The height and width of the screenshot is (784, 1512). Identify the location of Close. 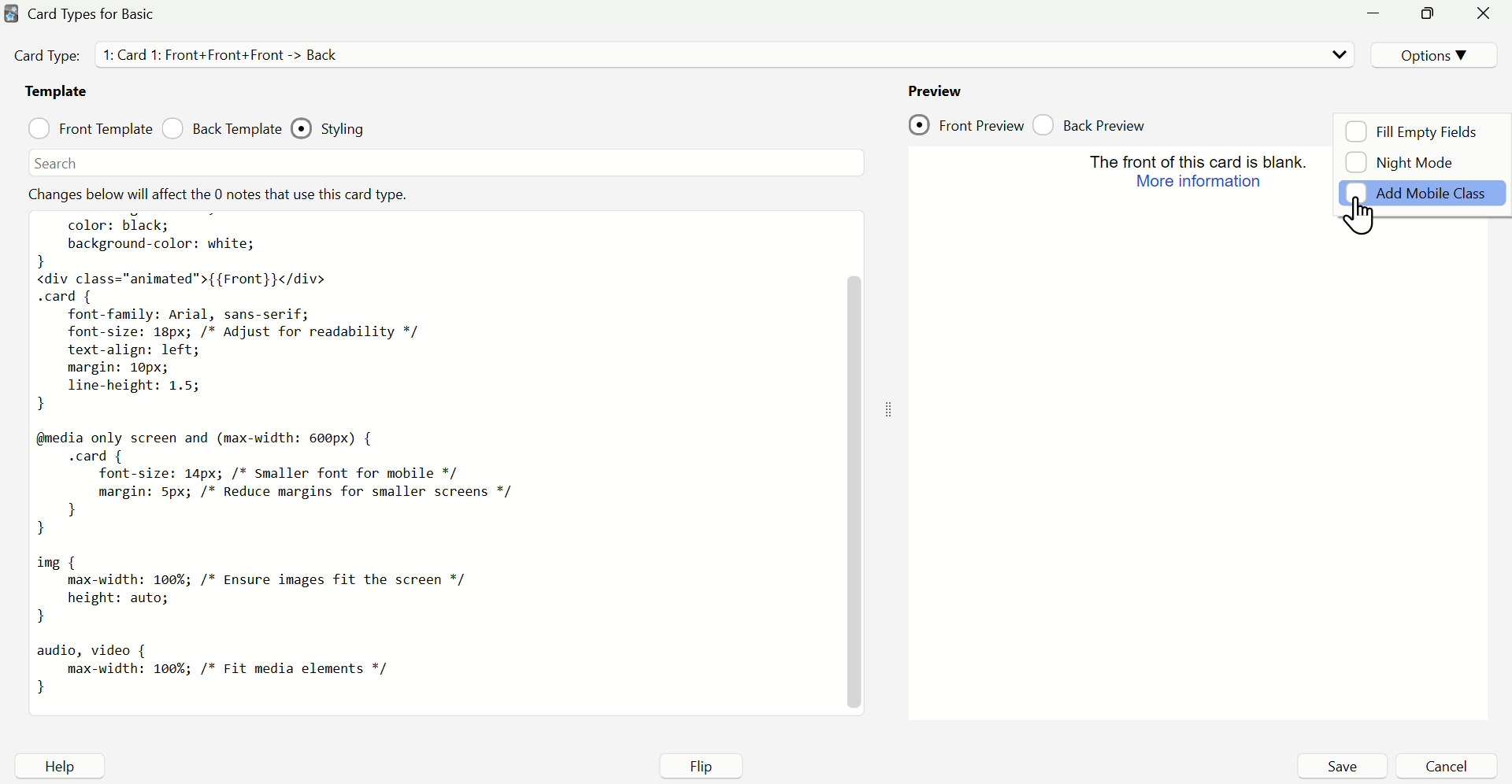
(1484, 17).